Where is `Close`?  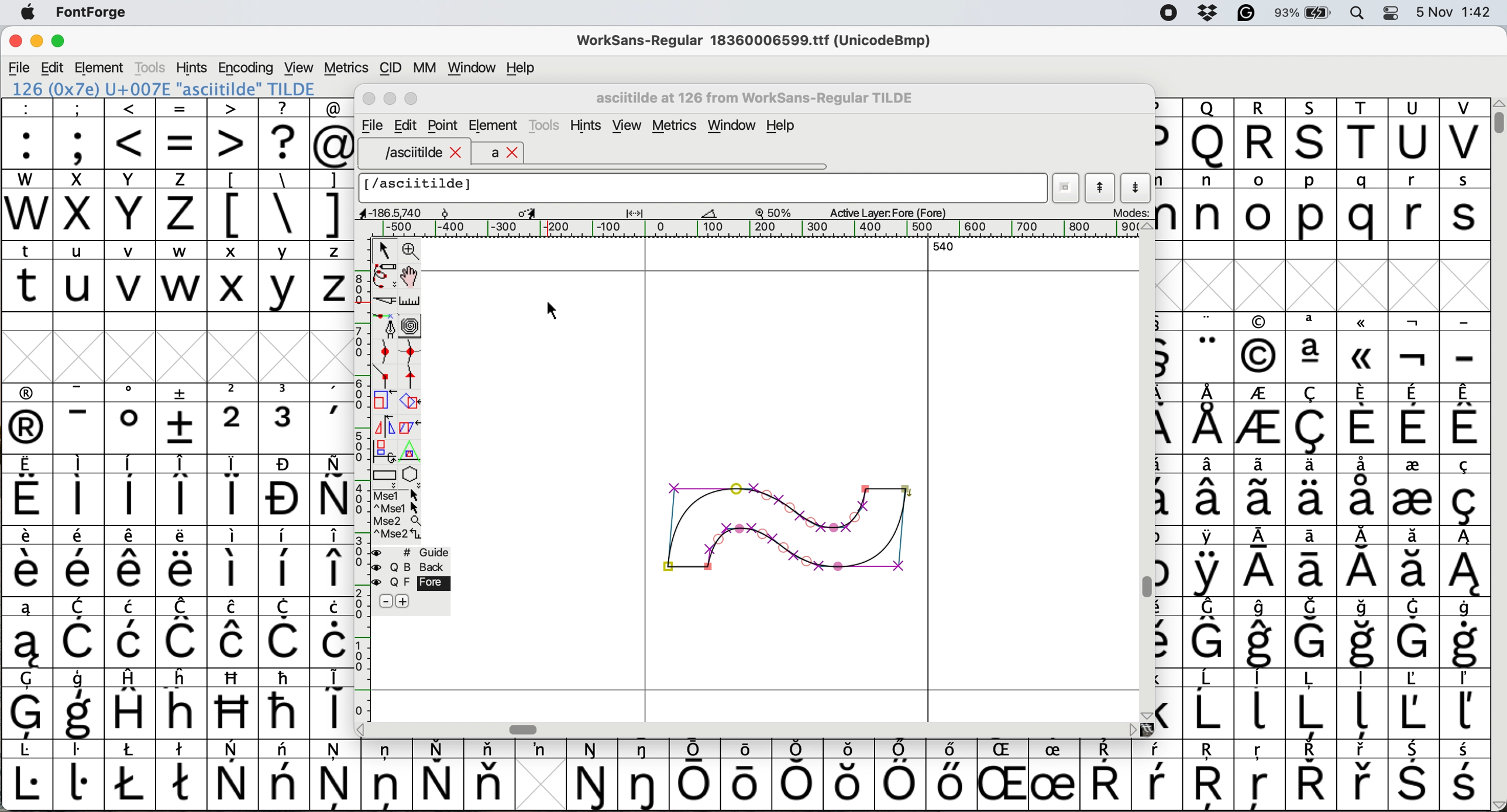 Close is located at coordinates (370, 99).